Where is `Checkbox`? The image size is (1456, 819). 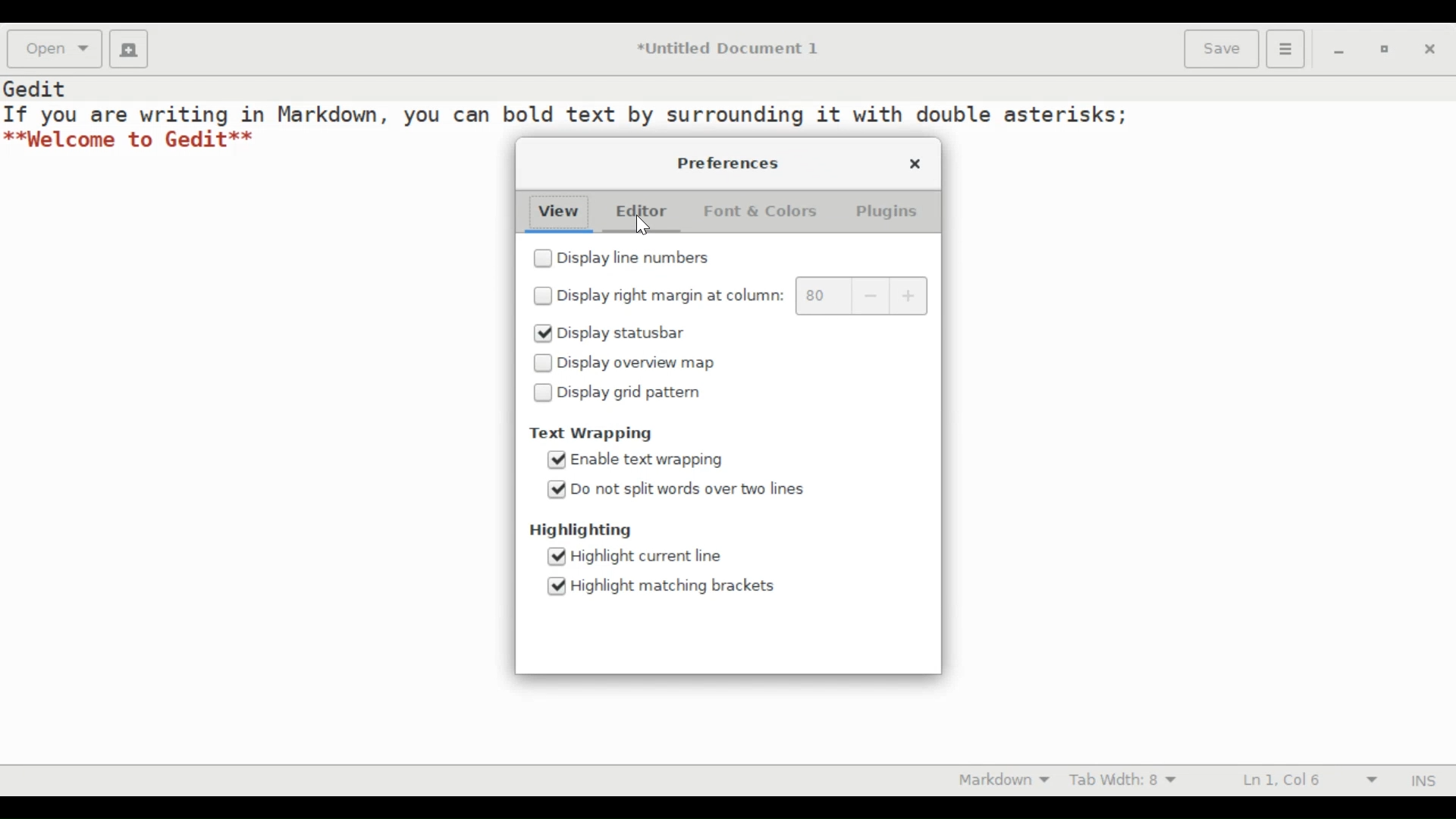
Checkbox is located at coordinates (541, 259).